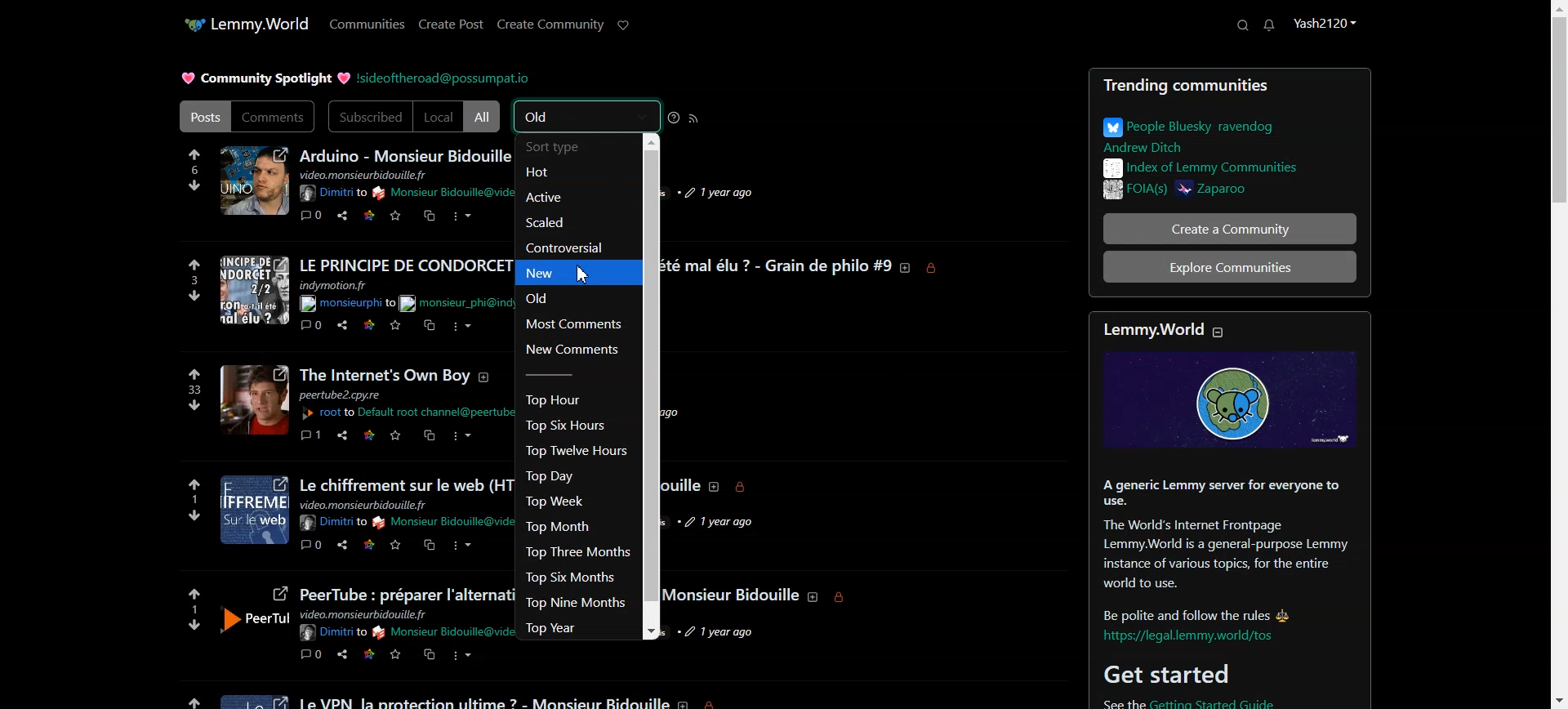 The width and height of the screenshot is (1568, 709). Describe the element at coordinates (576, 551) in the screenshot. I see `Top Three Month` at that location.